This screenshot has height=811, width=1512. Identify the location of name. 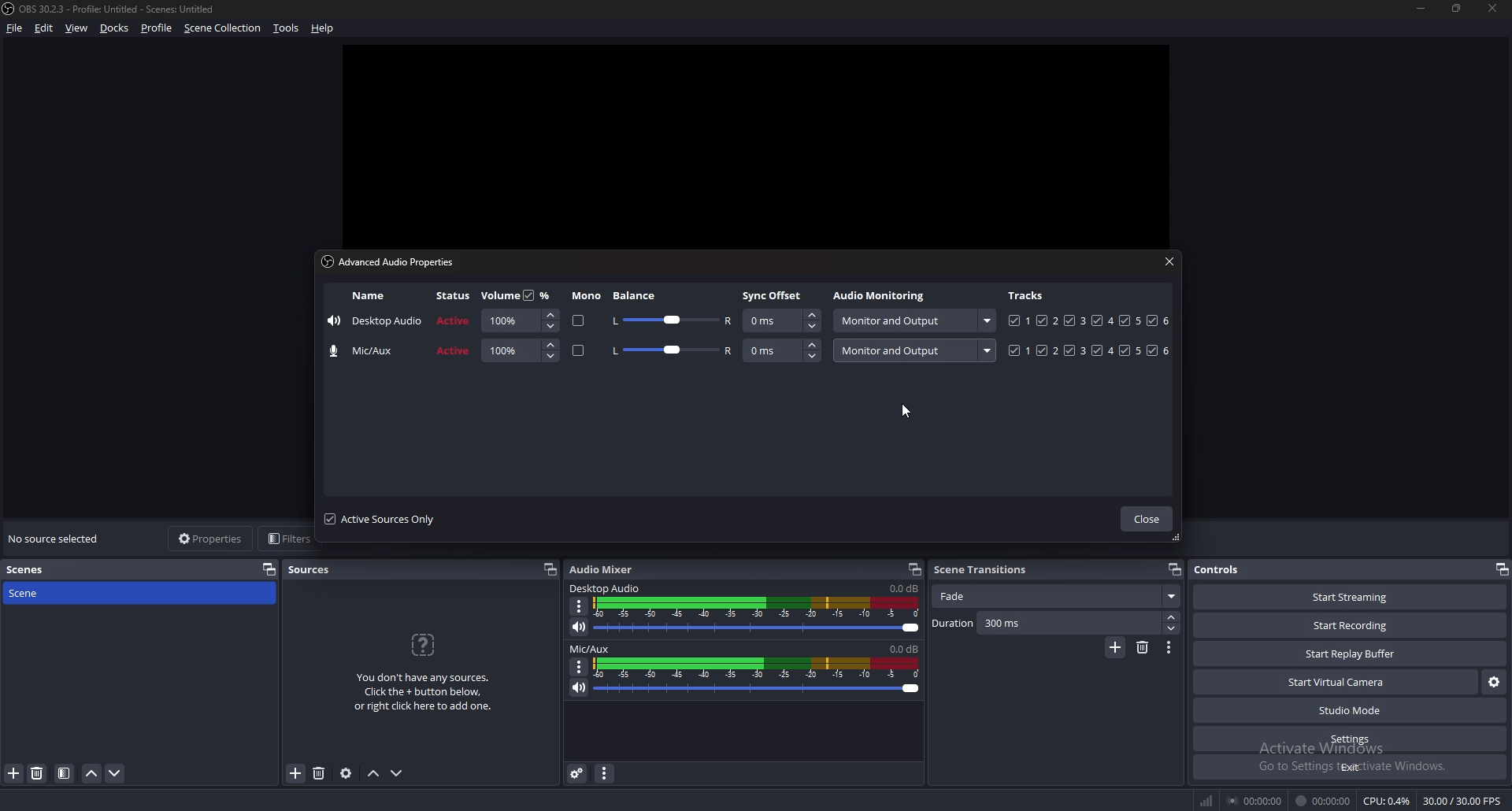
(369, 351).